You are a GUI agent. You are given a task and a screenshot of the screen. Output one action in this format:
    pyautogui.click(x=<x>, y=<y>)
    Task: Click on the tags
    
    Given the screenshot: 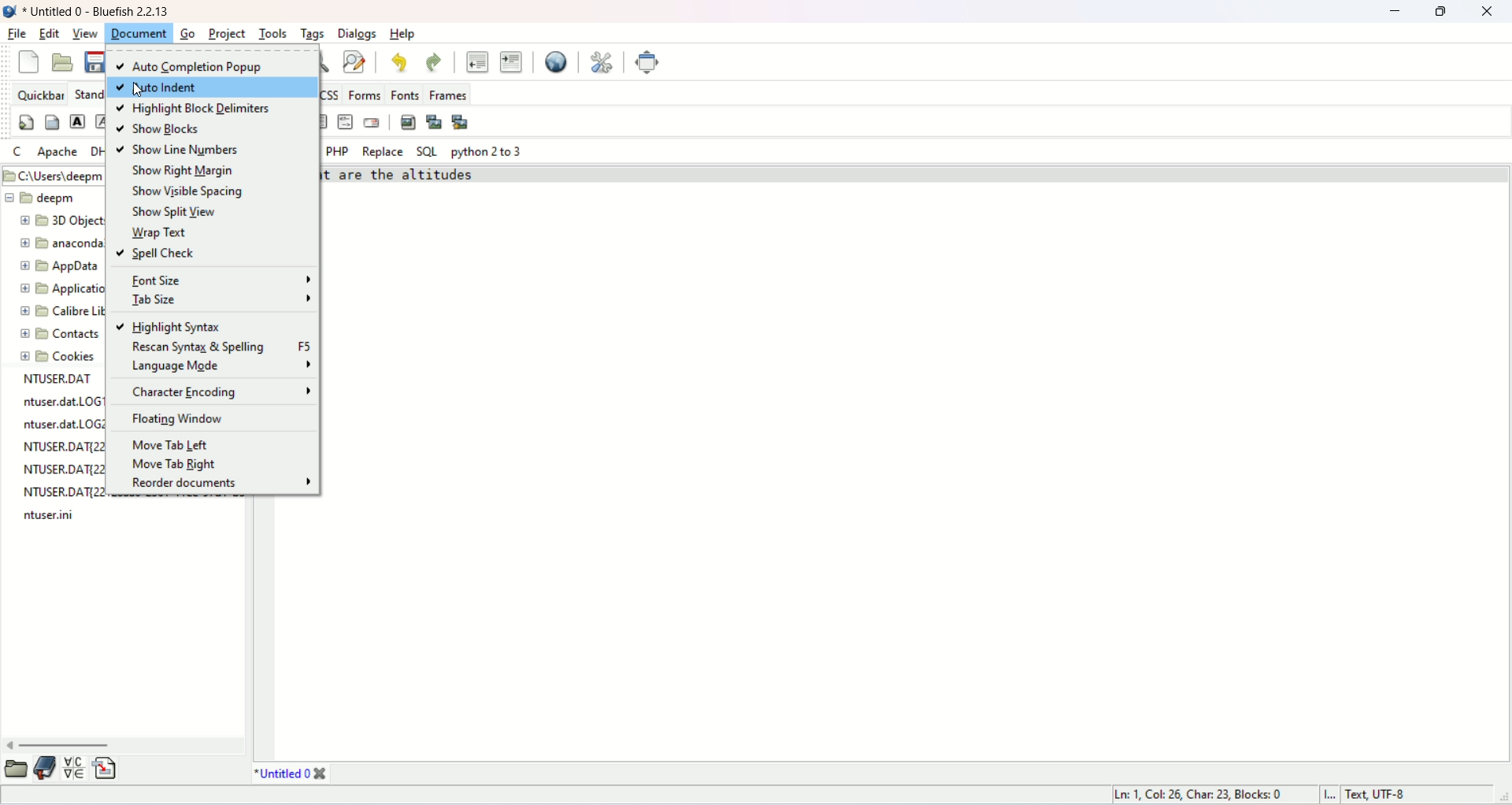 What is the action you would take?
    pyautogui.click(x=312, y=35)
    